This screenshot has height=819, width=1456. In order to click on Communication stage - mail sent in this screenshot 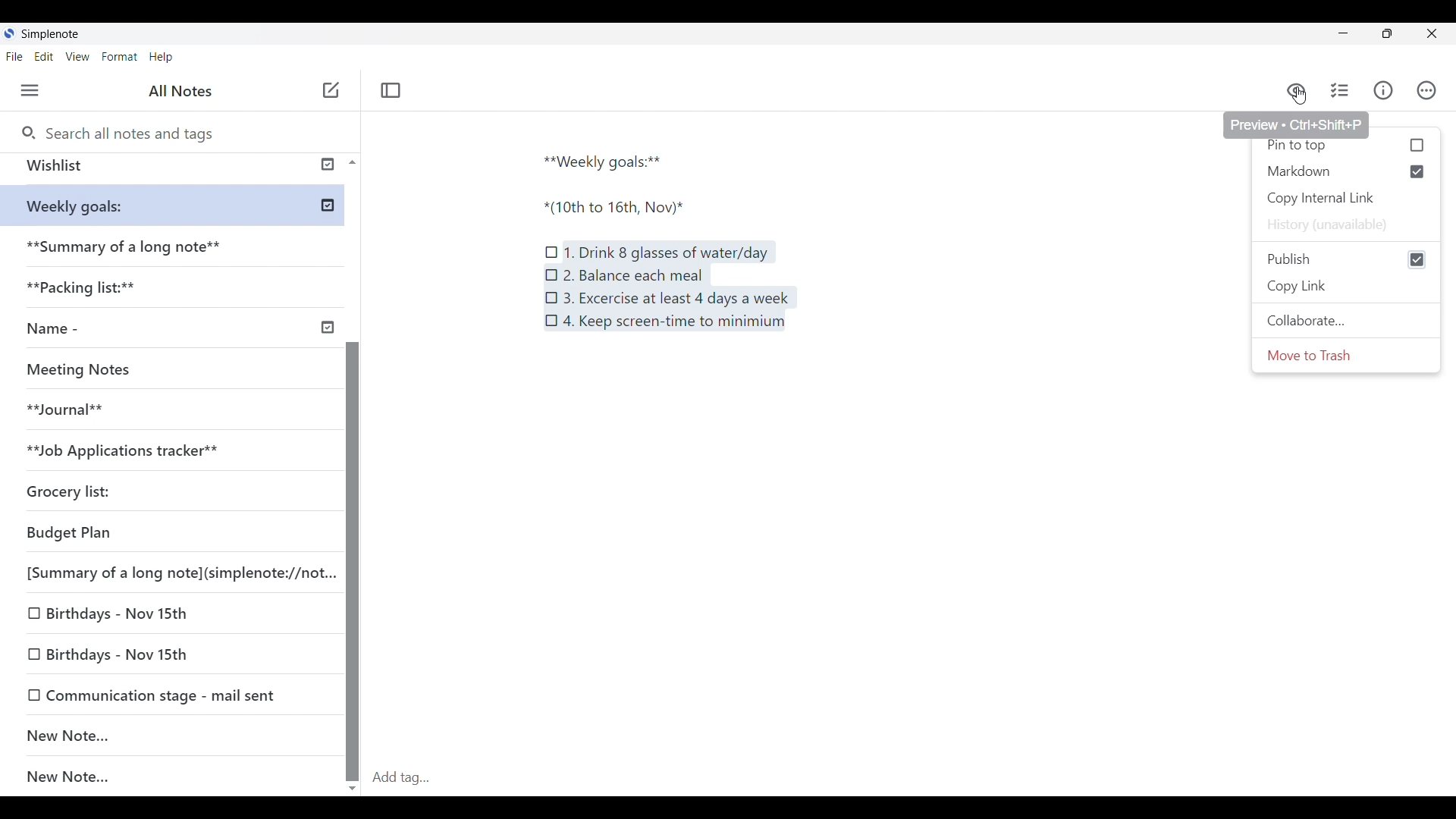, I will do `click(172, 695)`.